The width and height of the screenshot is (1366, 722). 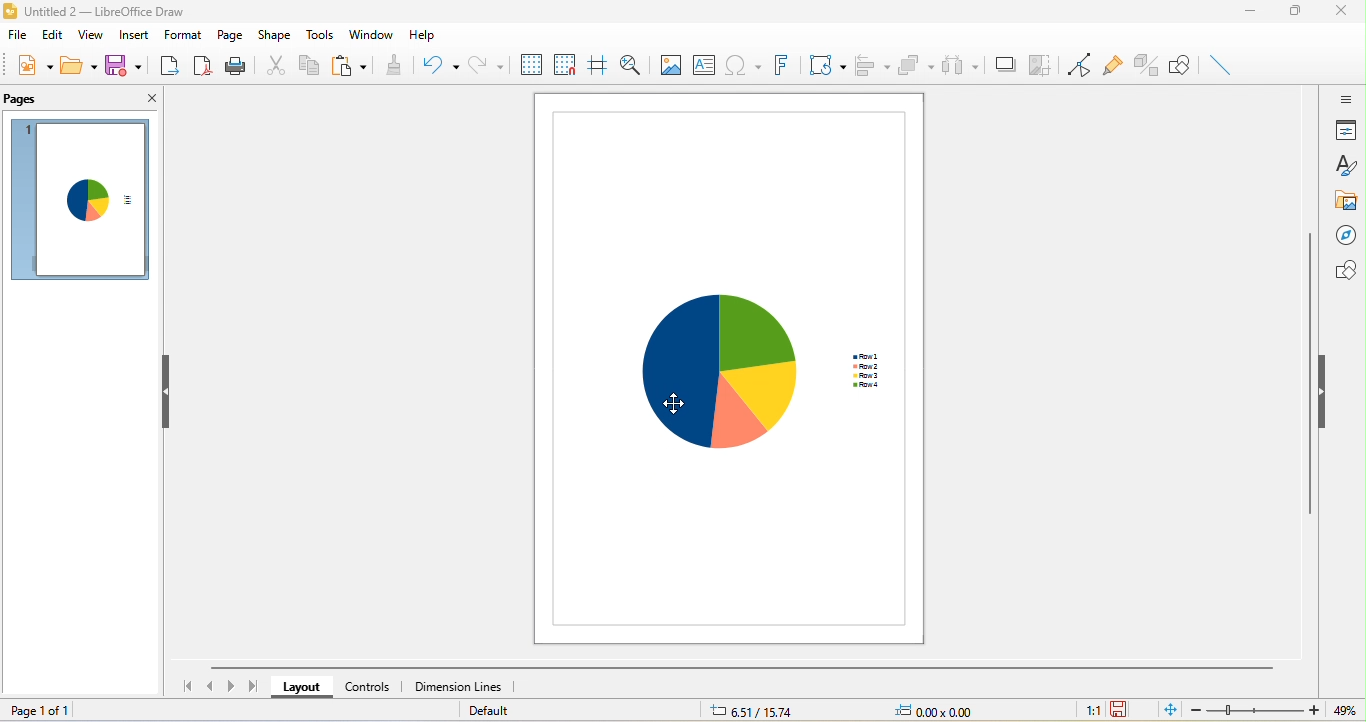 What do you see at coordinates (683, 403) in the screenshot?
I see `cursor ` at bounding box center [683, 403].